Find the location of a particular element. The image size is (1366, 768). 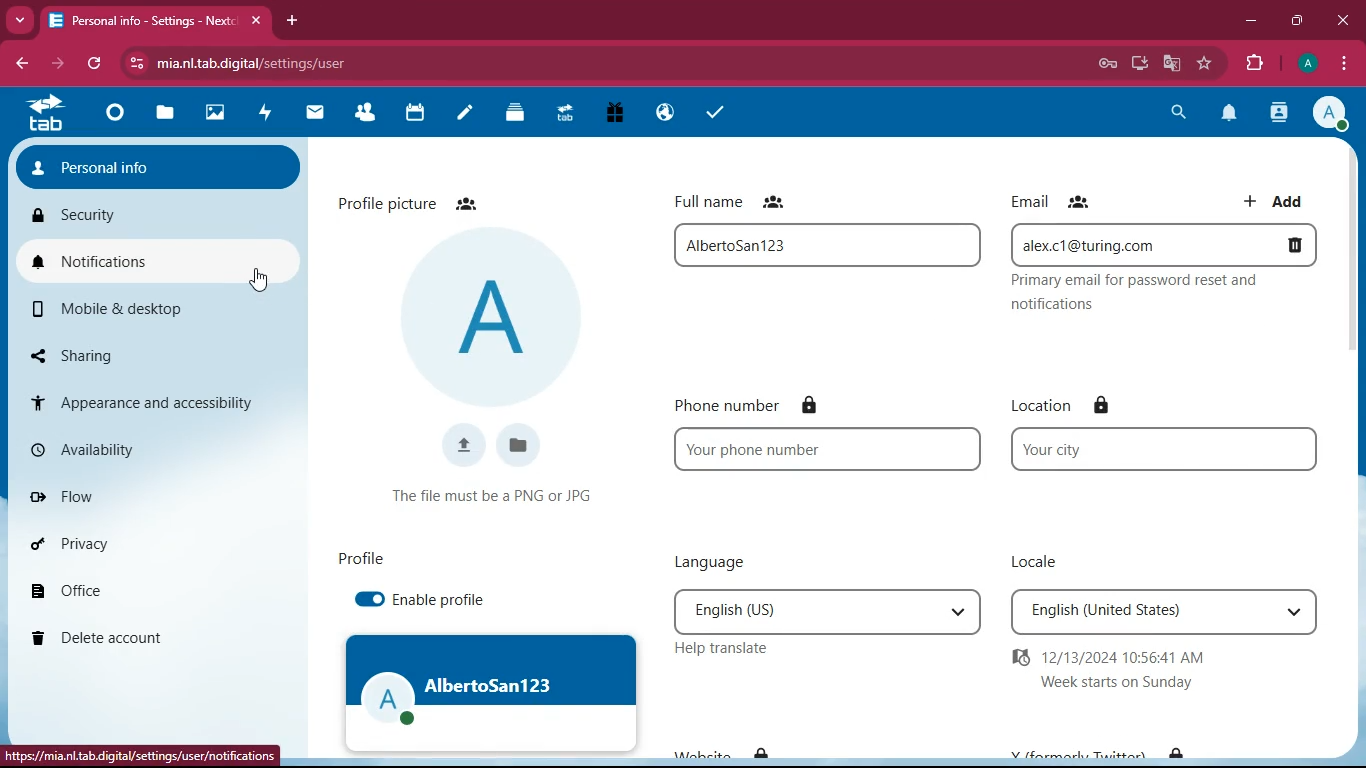

activity is located at coordinates (268, 115).